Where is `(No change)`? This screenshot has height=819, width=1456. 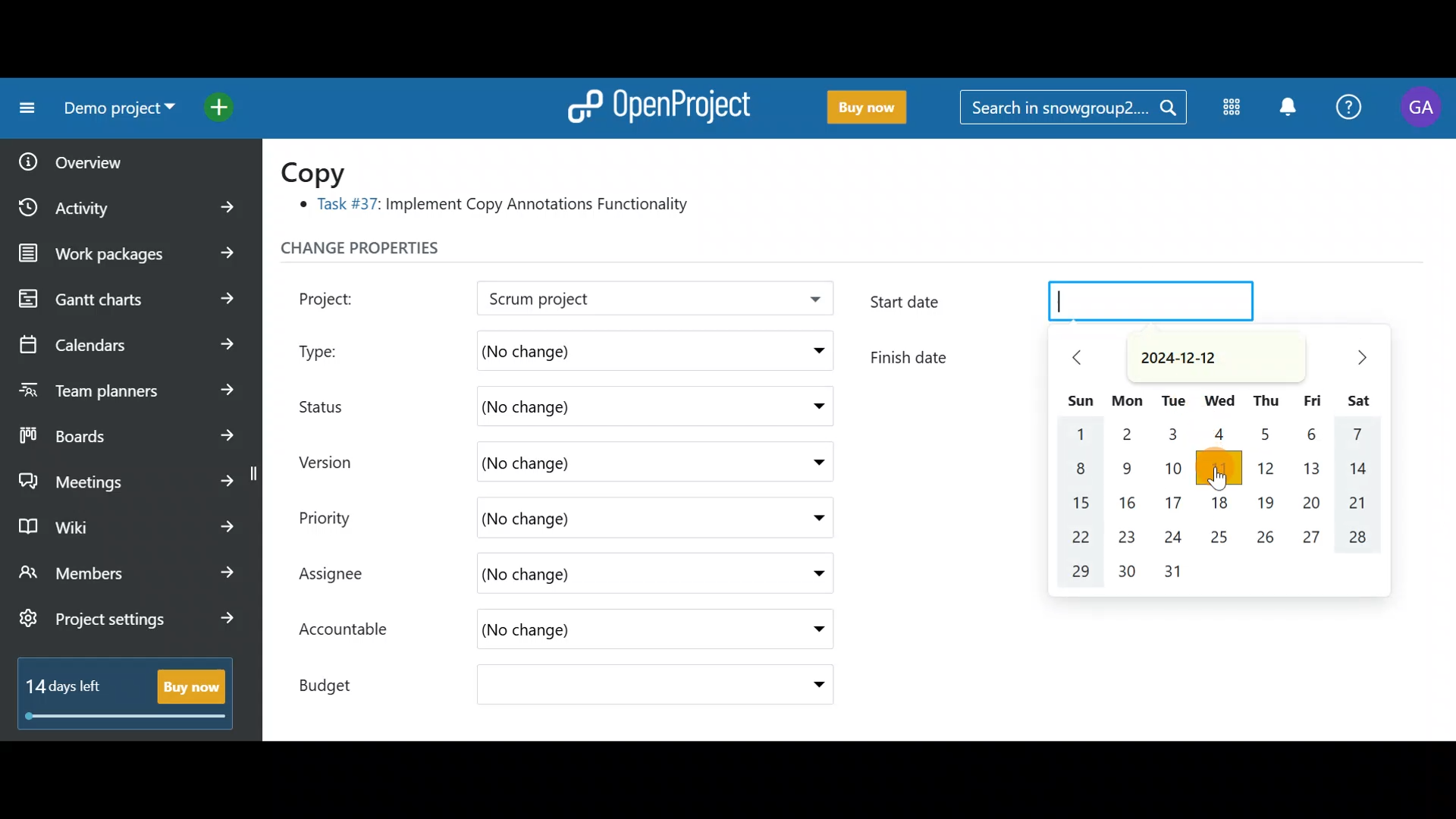 (No change) is located at coordinates (573, 518).